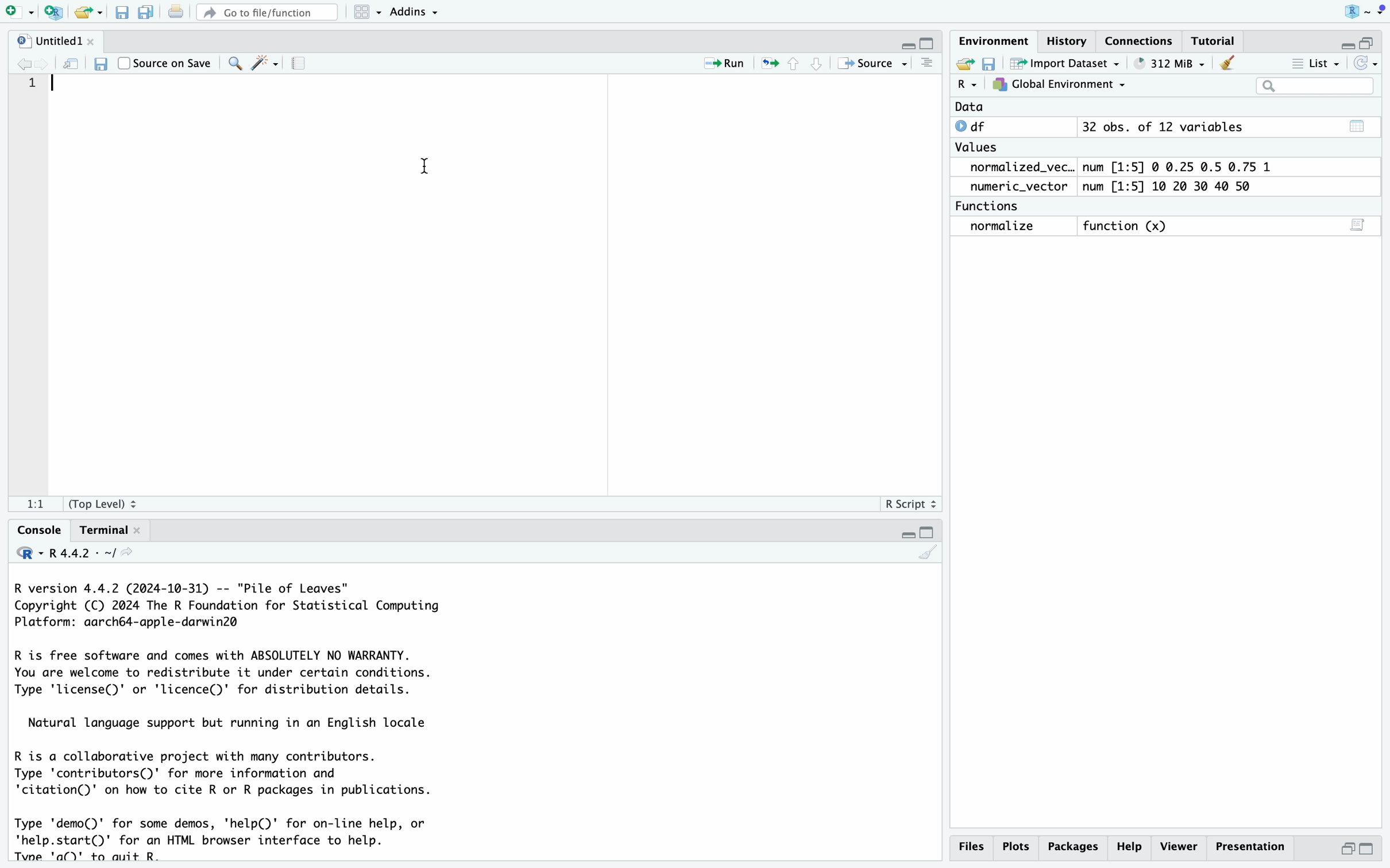 The image size is (1390, 868). What do you see at coordinates (469, 722) in the screenshot?
I see `R version 4.4.2 (2024-10-31) -- "Pile of Leaves"Copyright (C) 2024 The R Foundation for Statistical ComputingPlatform: aarch64-apple-darwin2@R is free software and comes with ABSOLUTELY NO WARRANTY.You are welcome to redistribute it under certain conditions.Type 'license()' or 'licence()' for distribution details.Natural language support but running in an English localeR is a collaborative project with many contributors.Type 'contributors()' for more information and'citation()' on how to cite R or R packages in publications.Type 'demo()' for some demos, 'help()' for on-line help, or'help.start()' for an HTML browser interface to help.Type 'q()' to quit R.[Workspace loaded from ~/.RData]> normalize <- function(x) {+ return((x - min(x)) / (max(x) - min(x)))+}>> numeric_vector <- c(10, 20, 30, 40, 50)>> normalized_vector <- normalize(numeric_vector)>> print(normalized_vector)[1] 0.00 ©.25 0.50 0.75 1.00>> print(normalized_vector)[1] 0.00 ©.25 0.50 0.75 1.00>>>> print(filtered_mtcars,"cars")Error: object 'filtered_mtcars' not found> print(filtered_mtcars)Error: object 'filtered_mtcars' not found>>>>` at bounding box center [469, 722].